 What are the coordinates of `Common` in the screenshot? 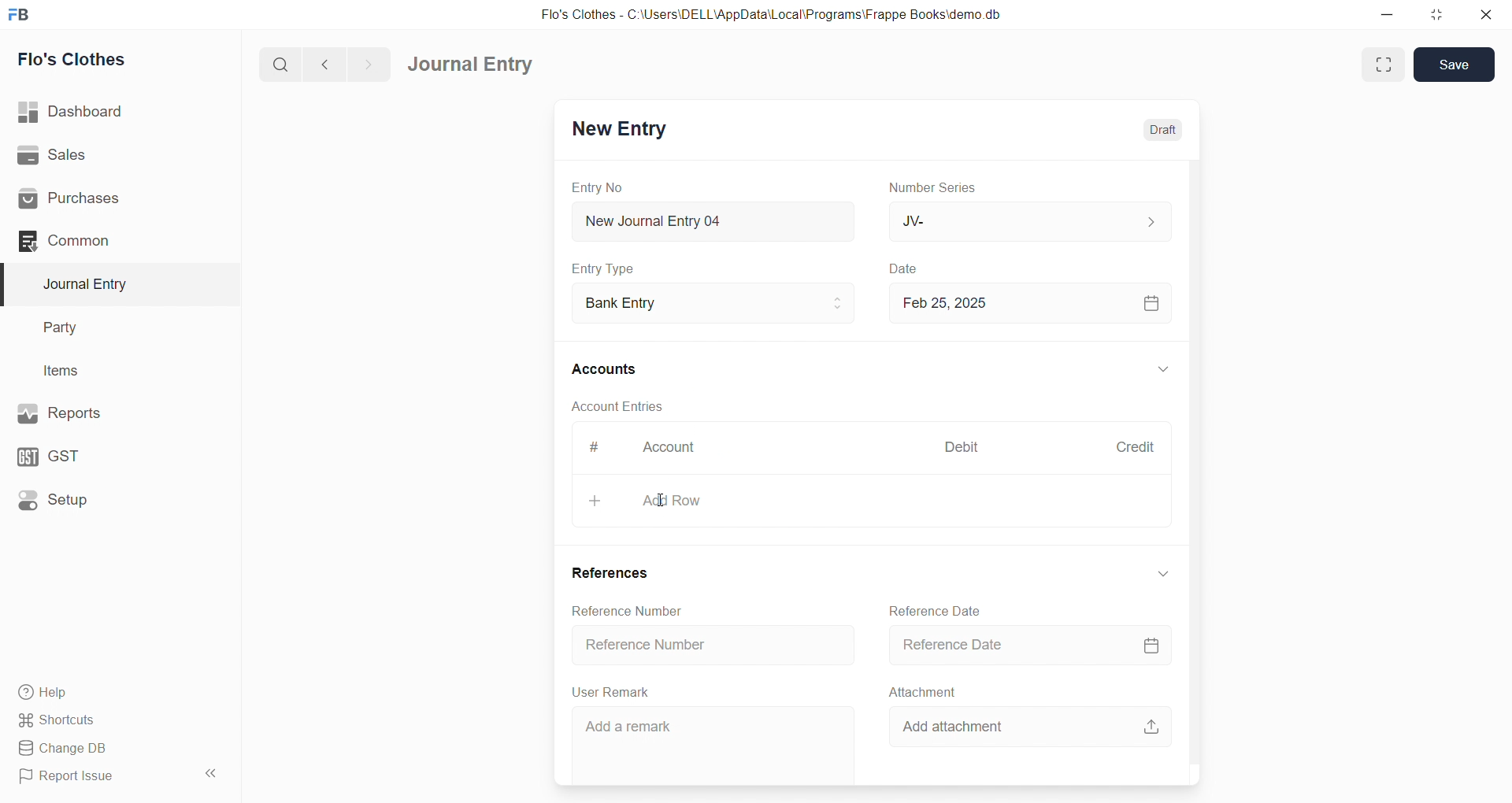 It's located at (106, 240).